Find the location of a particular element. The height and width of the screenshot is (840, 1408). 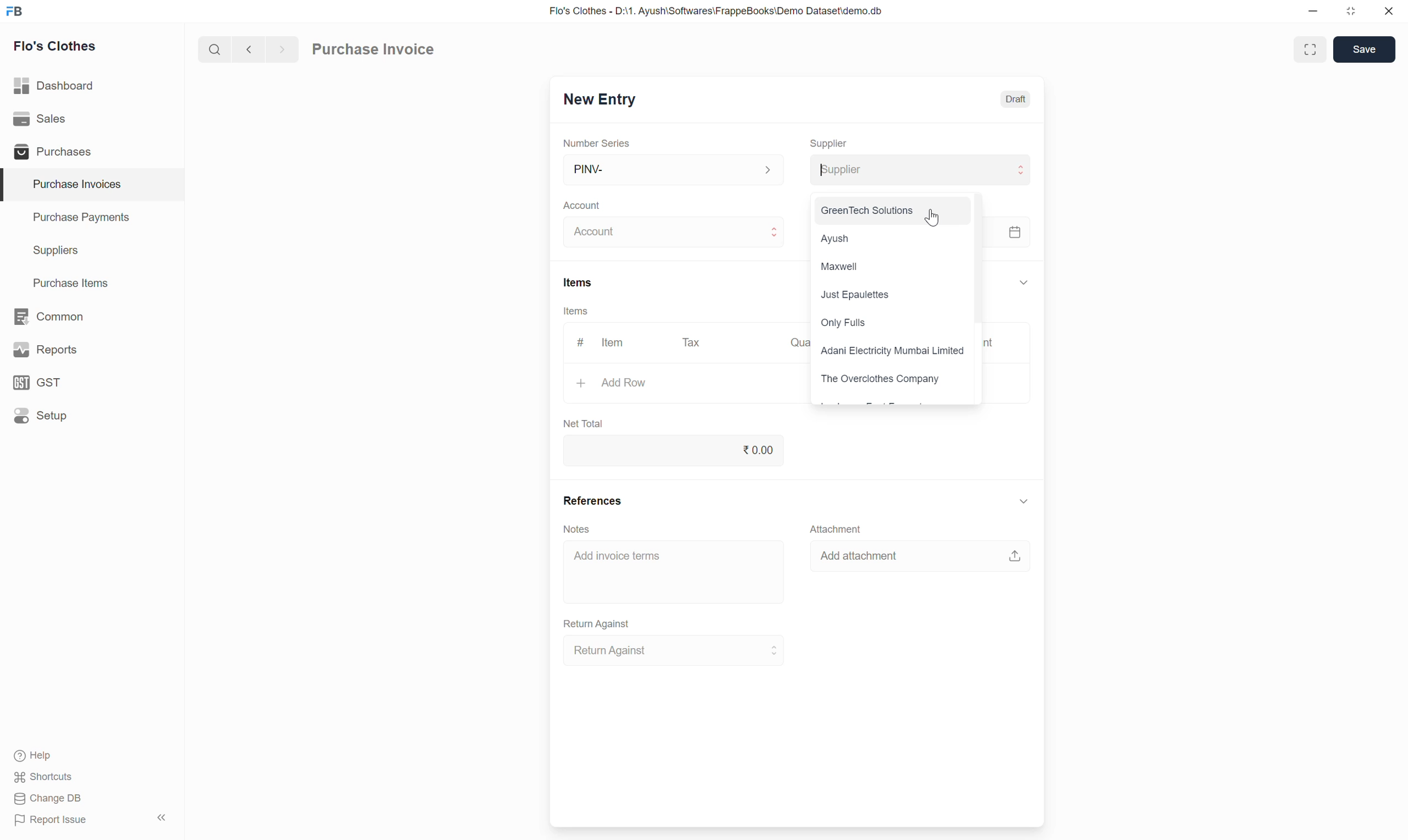

Next is located at coordinates (283, 49).